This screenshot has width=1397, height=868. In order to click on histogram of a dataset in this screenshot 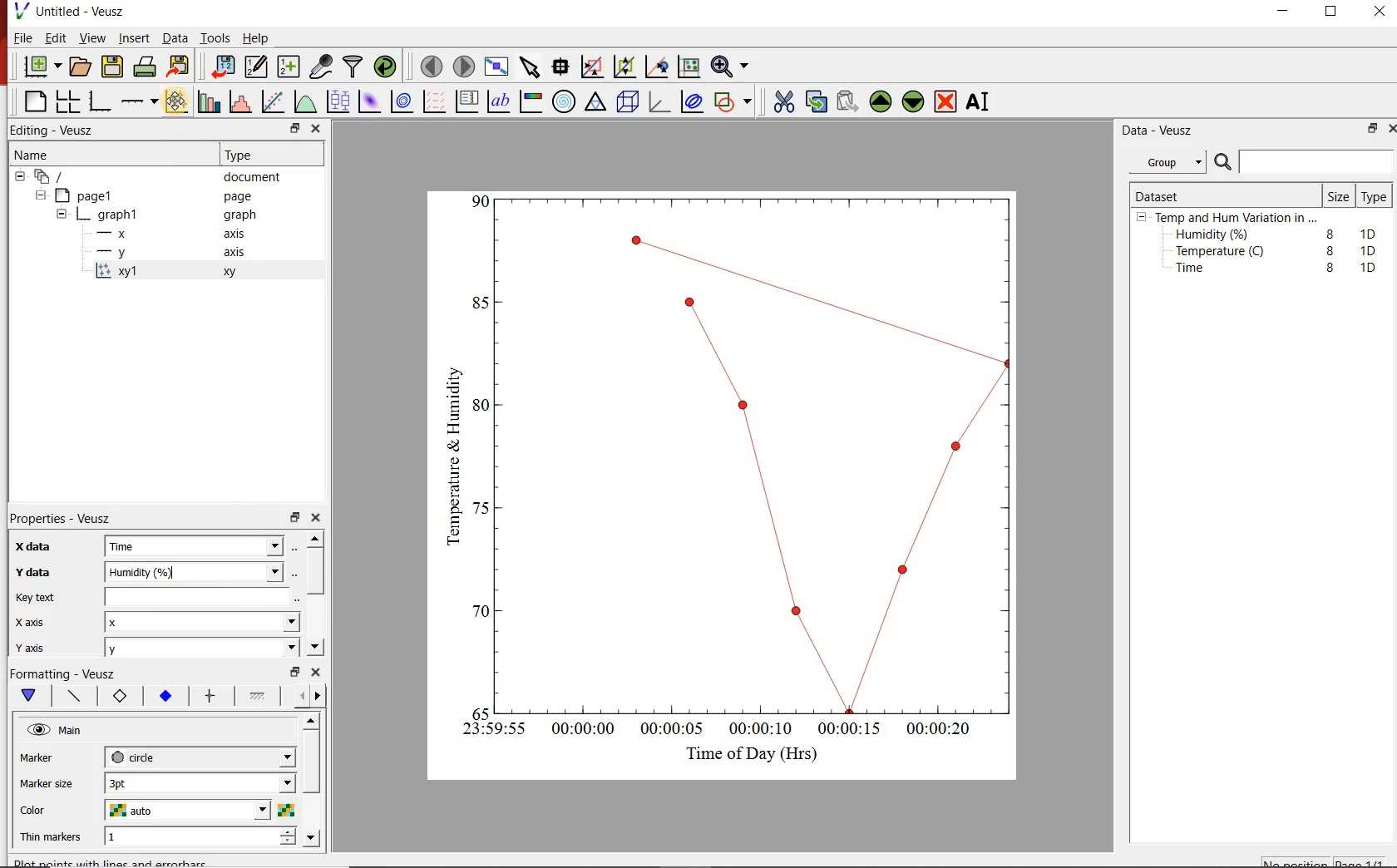, I will do `click(243, 101)`.